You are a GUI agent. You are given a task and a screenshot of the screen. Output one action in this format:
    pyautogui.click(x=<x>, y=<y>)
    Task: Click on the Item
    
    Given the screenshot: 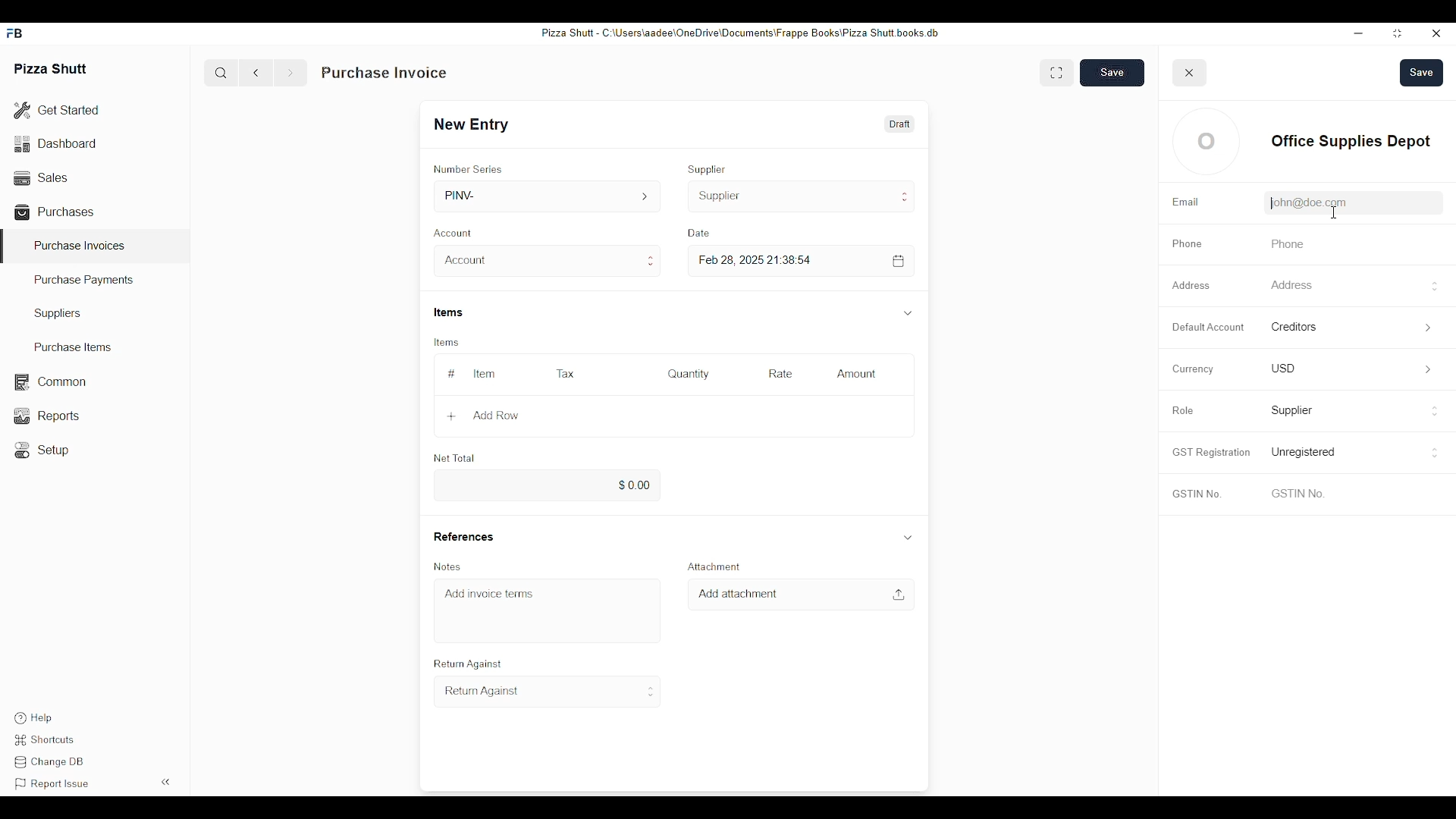 What is the action you would take?
    pyautogui.click(x=485, y=374)
    